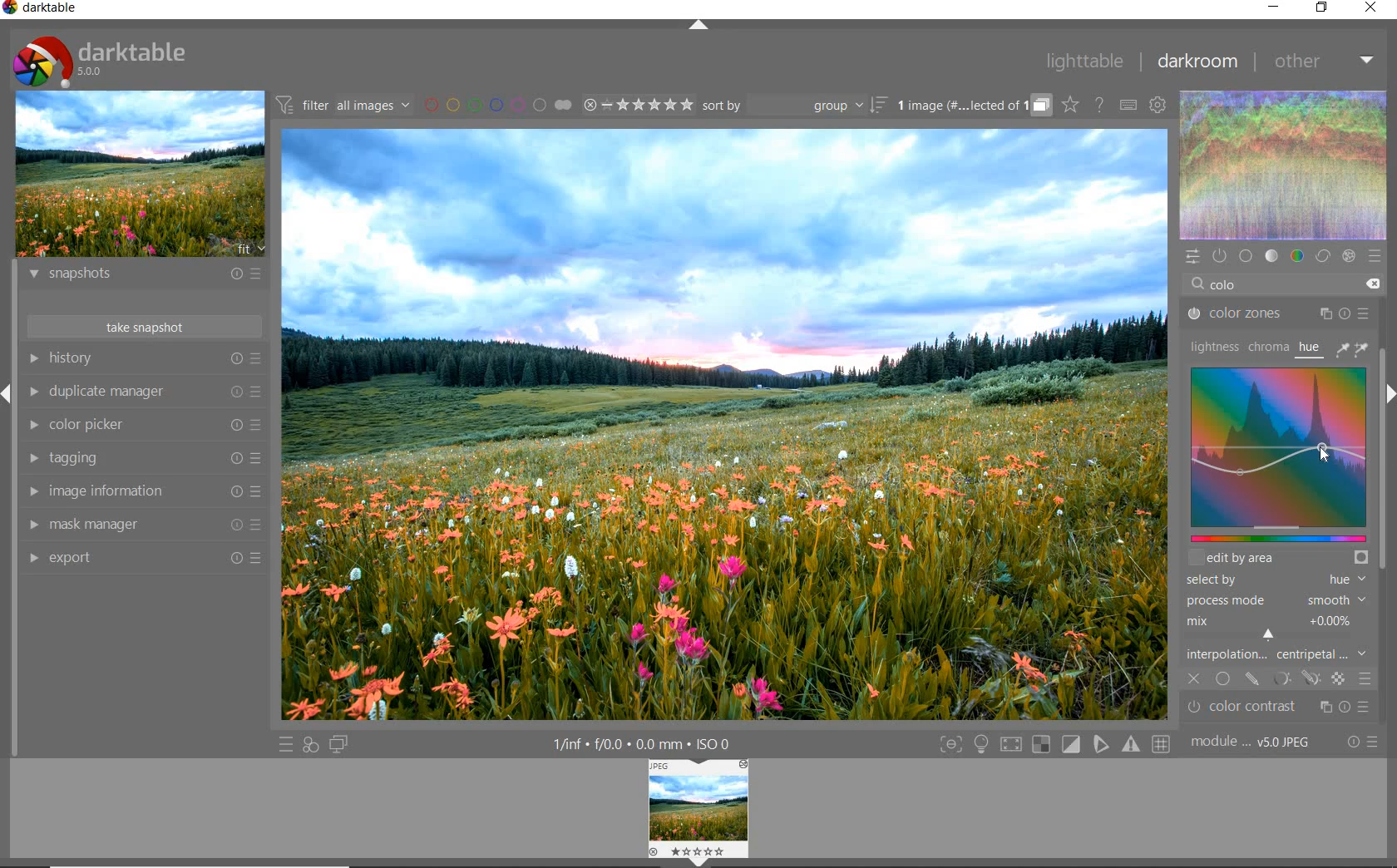 The height and width of the screenshot is (868, 1397). What do you see at coordinates (142, 557) in the screenshot?
I see `export` at bounding box center [142, 557].